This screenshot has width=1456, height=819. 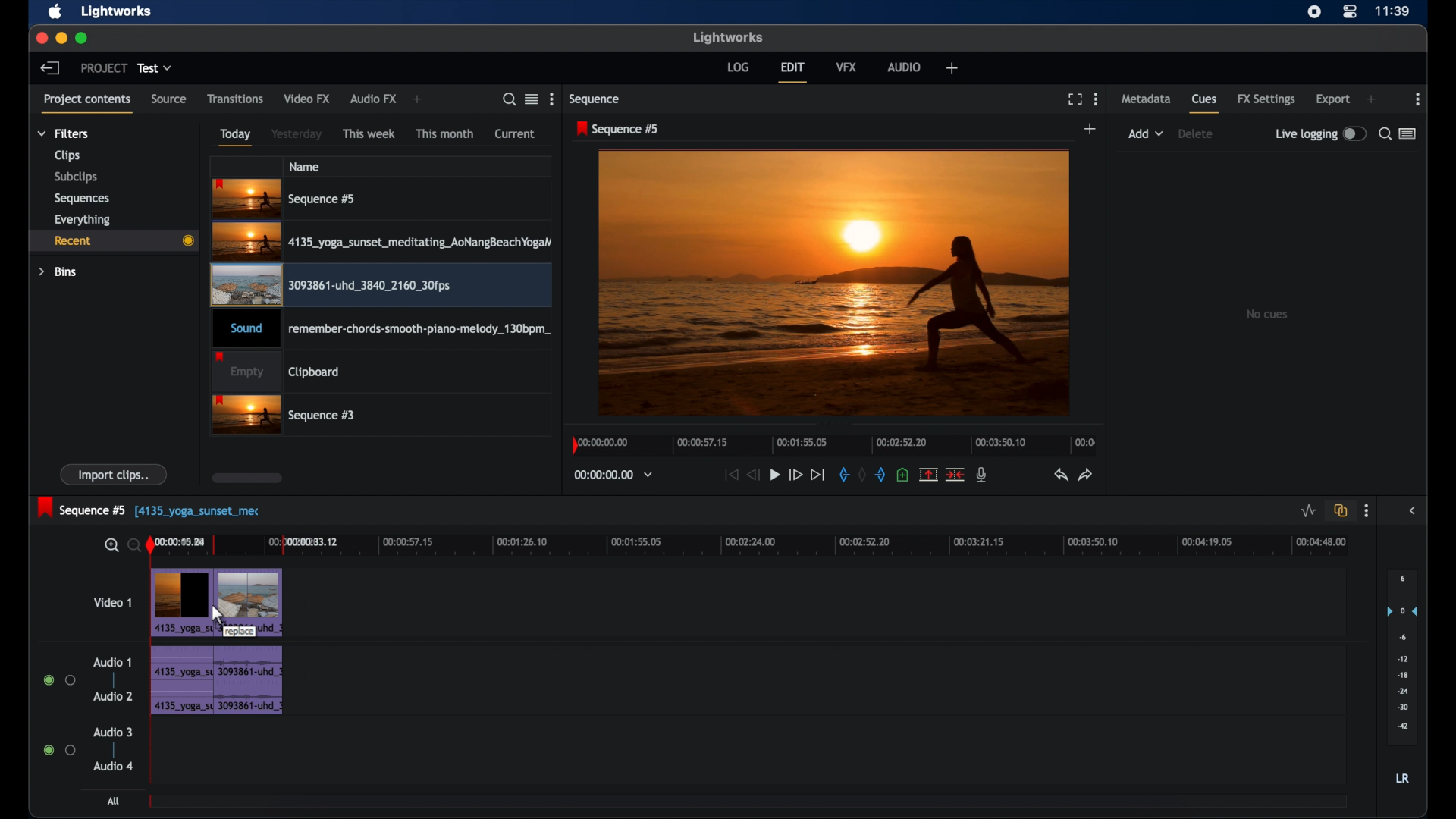 What do you see at coordinates (67, 155) in the screenshot?
I see `clips` at bounding box center [67, 155].